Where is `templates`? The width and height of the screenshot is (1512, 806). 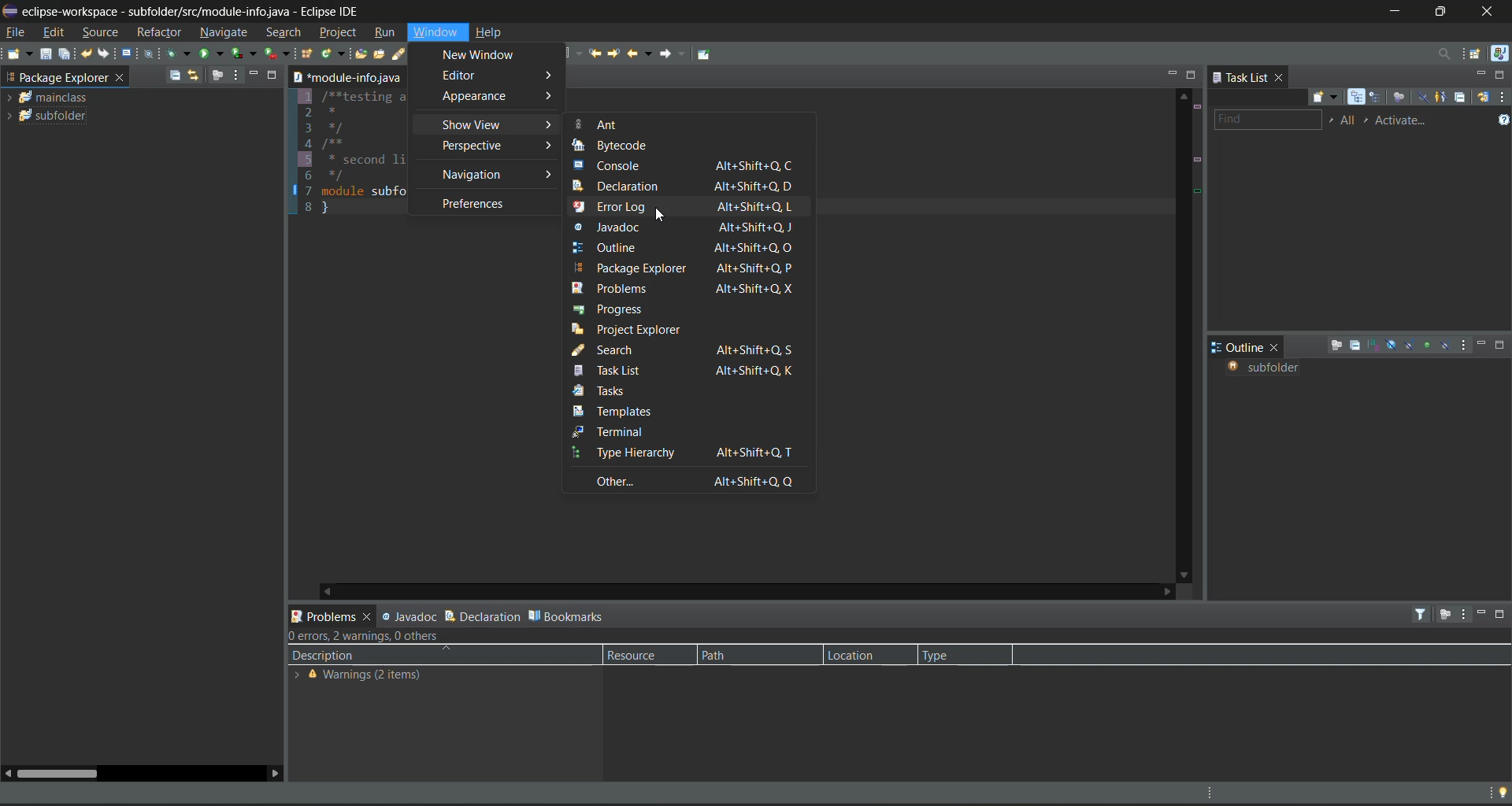 templates is located at coordinates (630, 411).